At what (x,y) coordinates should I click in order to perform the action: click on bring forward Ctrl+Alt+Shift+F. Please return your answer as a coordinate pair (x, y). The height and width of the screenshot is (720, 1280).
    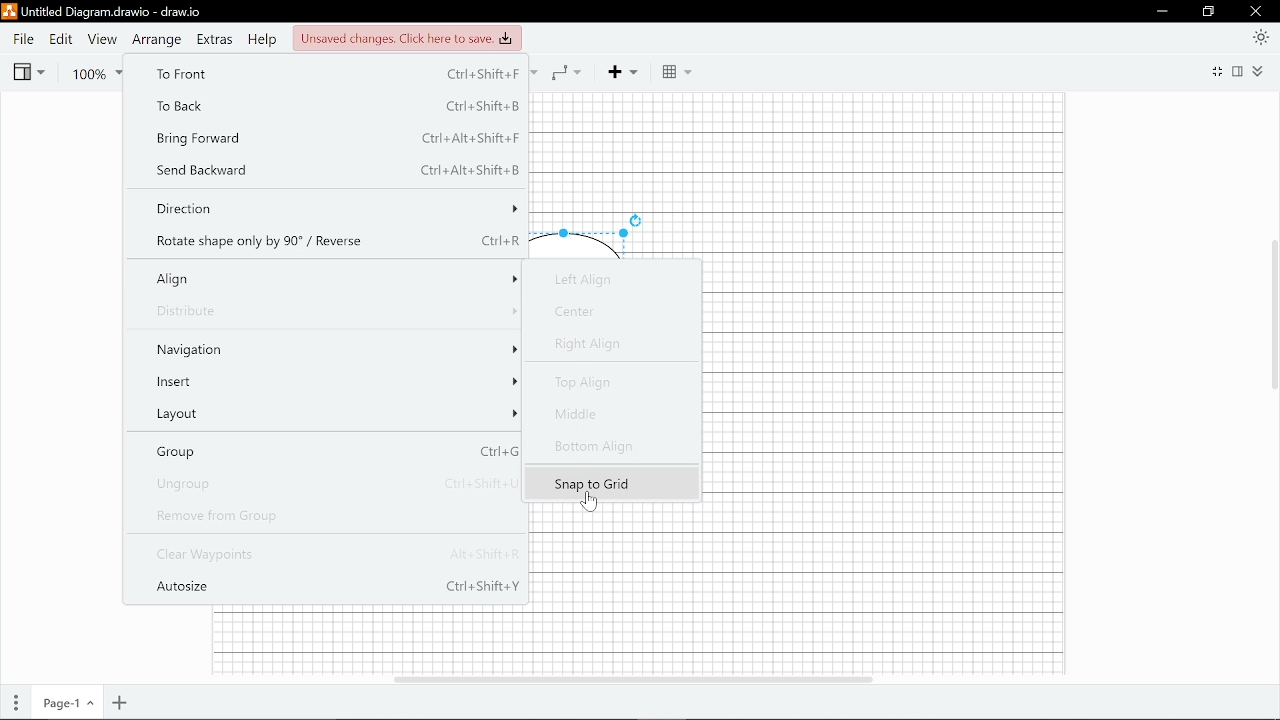
    Looking at the image, I should click on (334, 139).